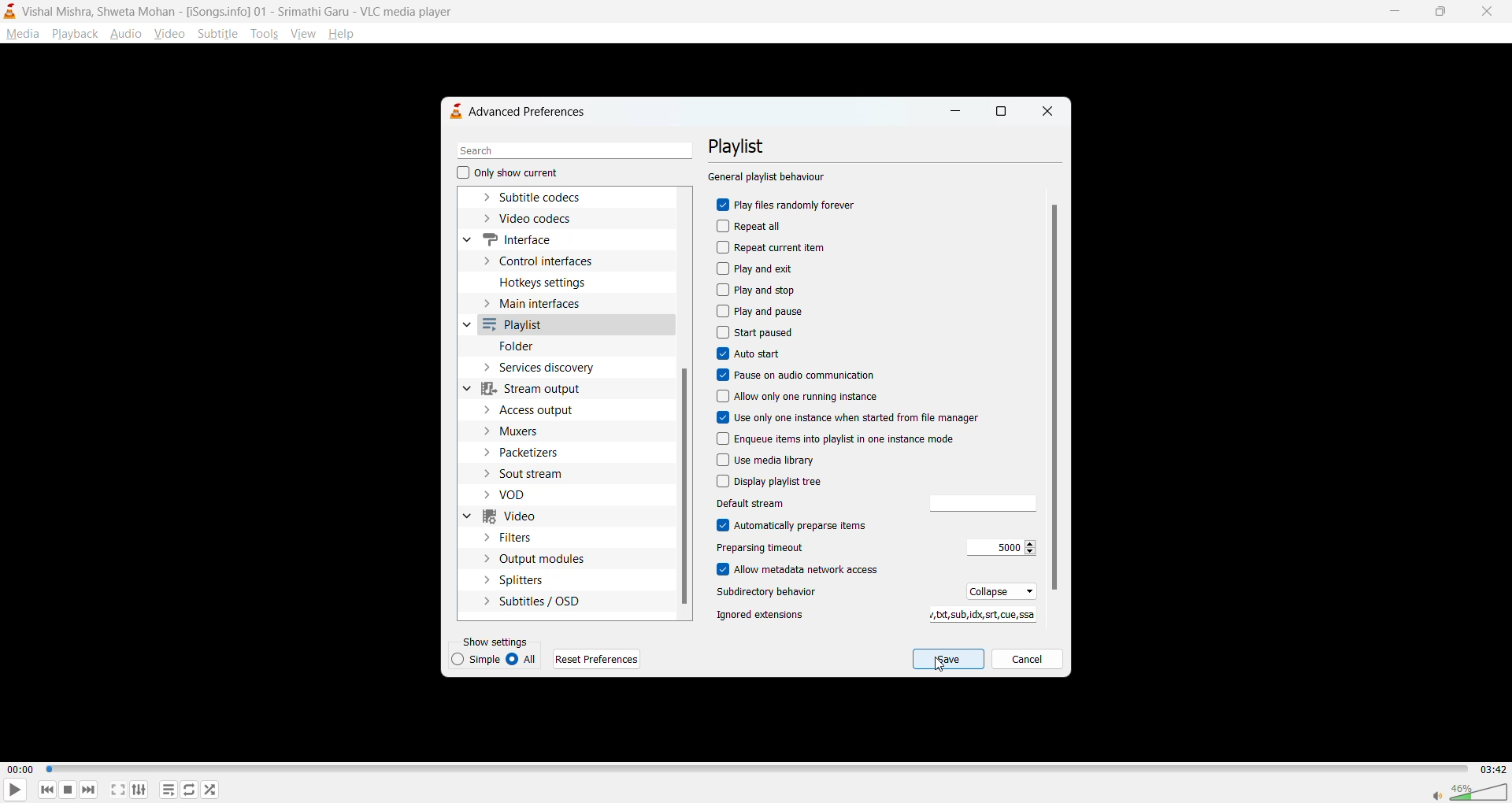  I want to click on maximize, so click(1002, 113).